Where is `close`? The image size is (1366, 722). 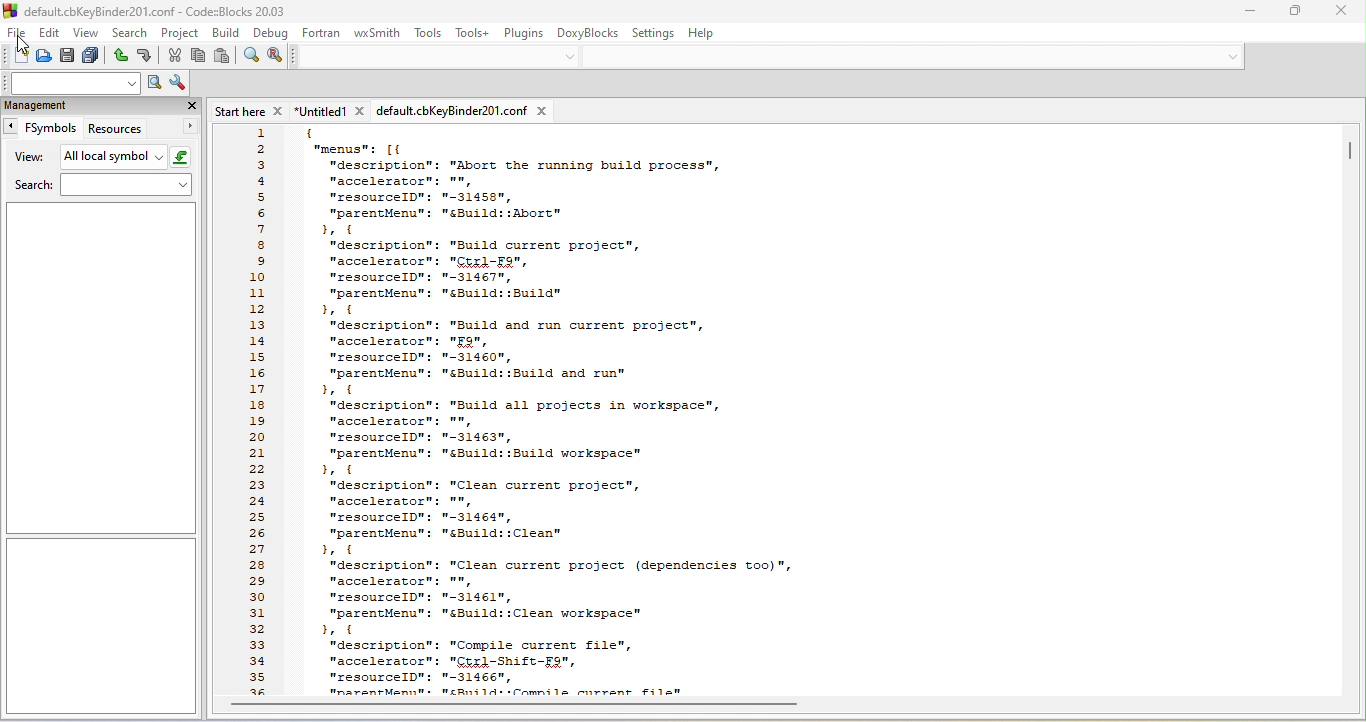
close is located at coordinates (1341, 13).